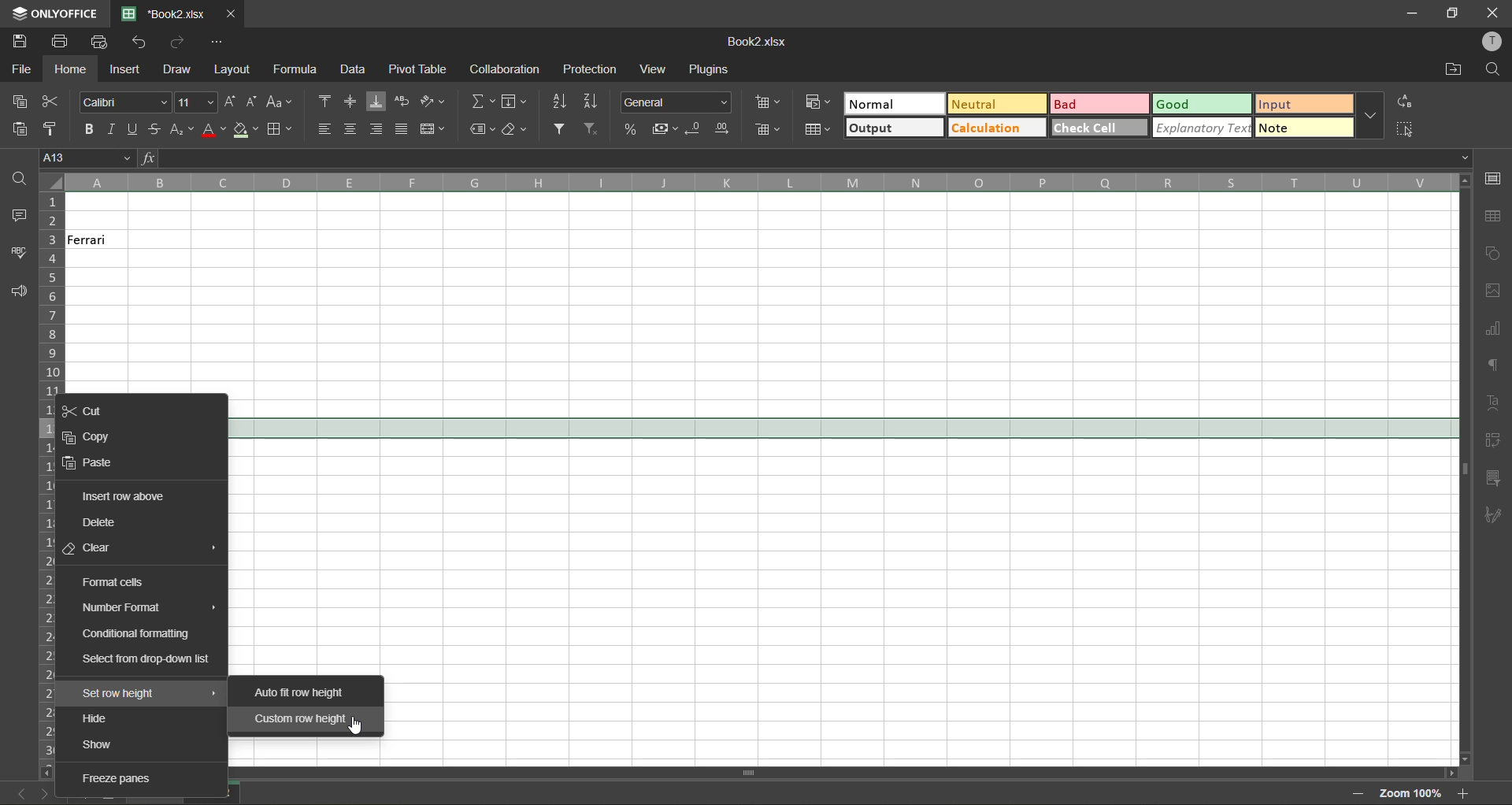 This screenshot has height=805, width=1512. I want to click on italic, so click(112, 129).